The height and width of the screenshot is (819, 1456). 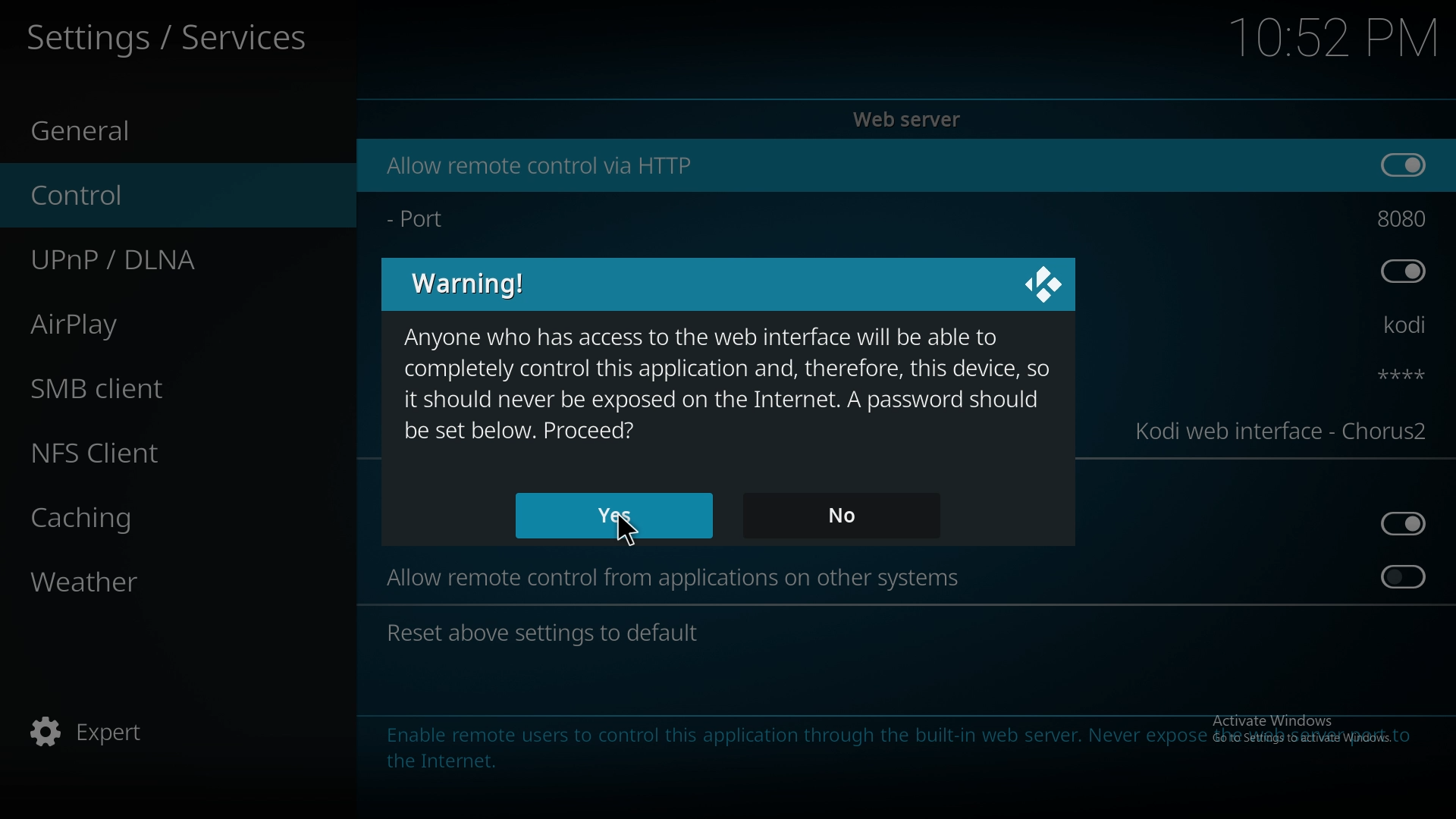 I want to click on nfs client, so click(x=159, y=451).